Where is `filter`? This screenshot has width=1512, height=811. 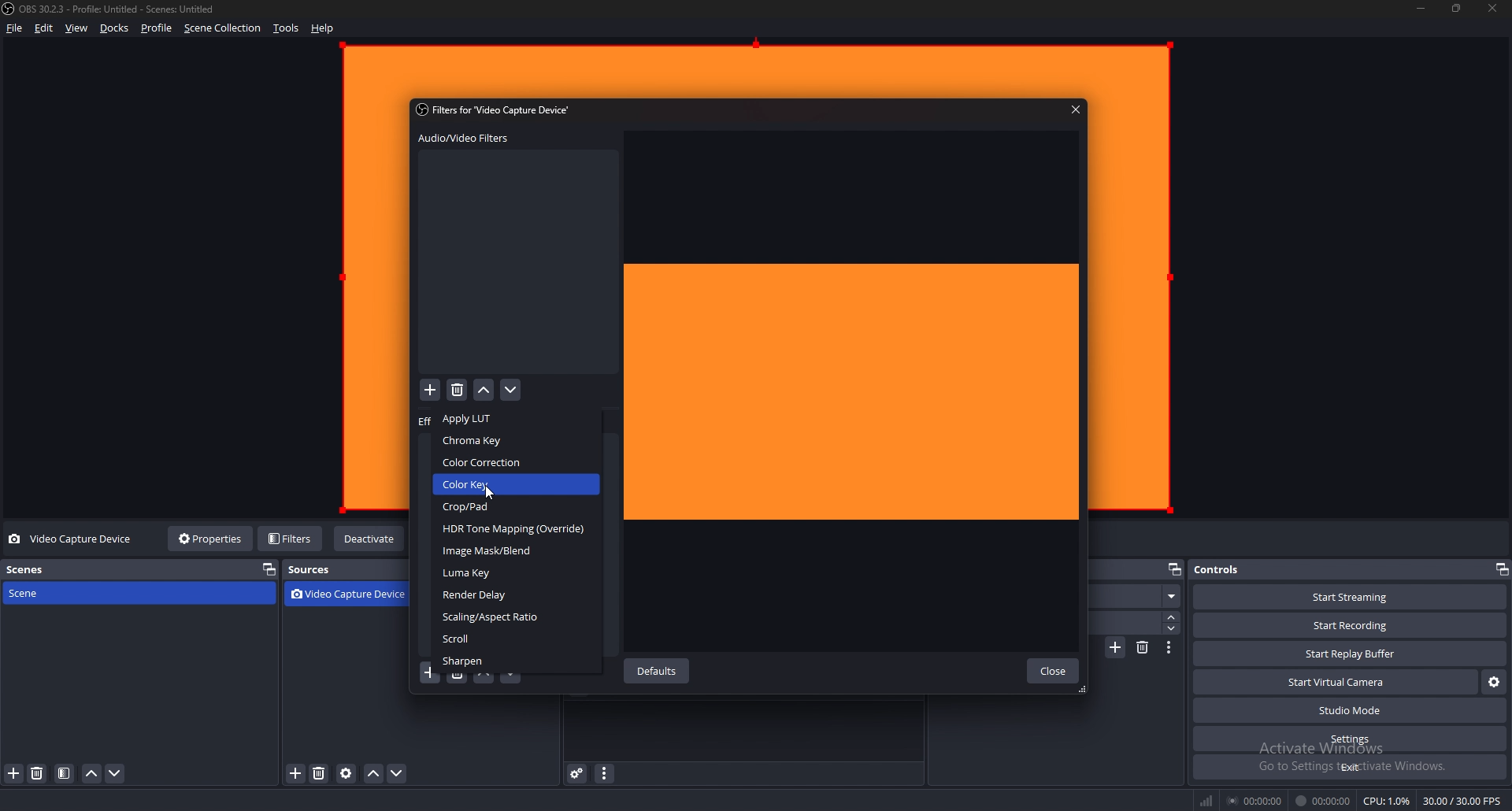
filter is located at coordinates (65, 774).